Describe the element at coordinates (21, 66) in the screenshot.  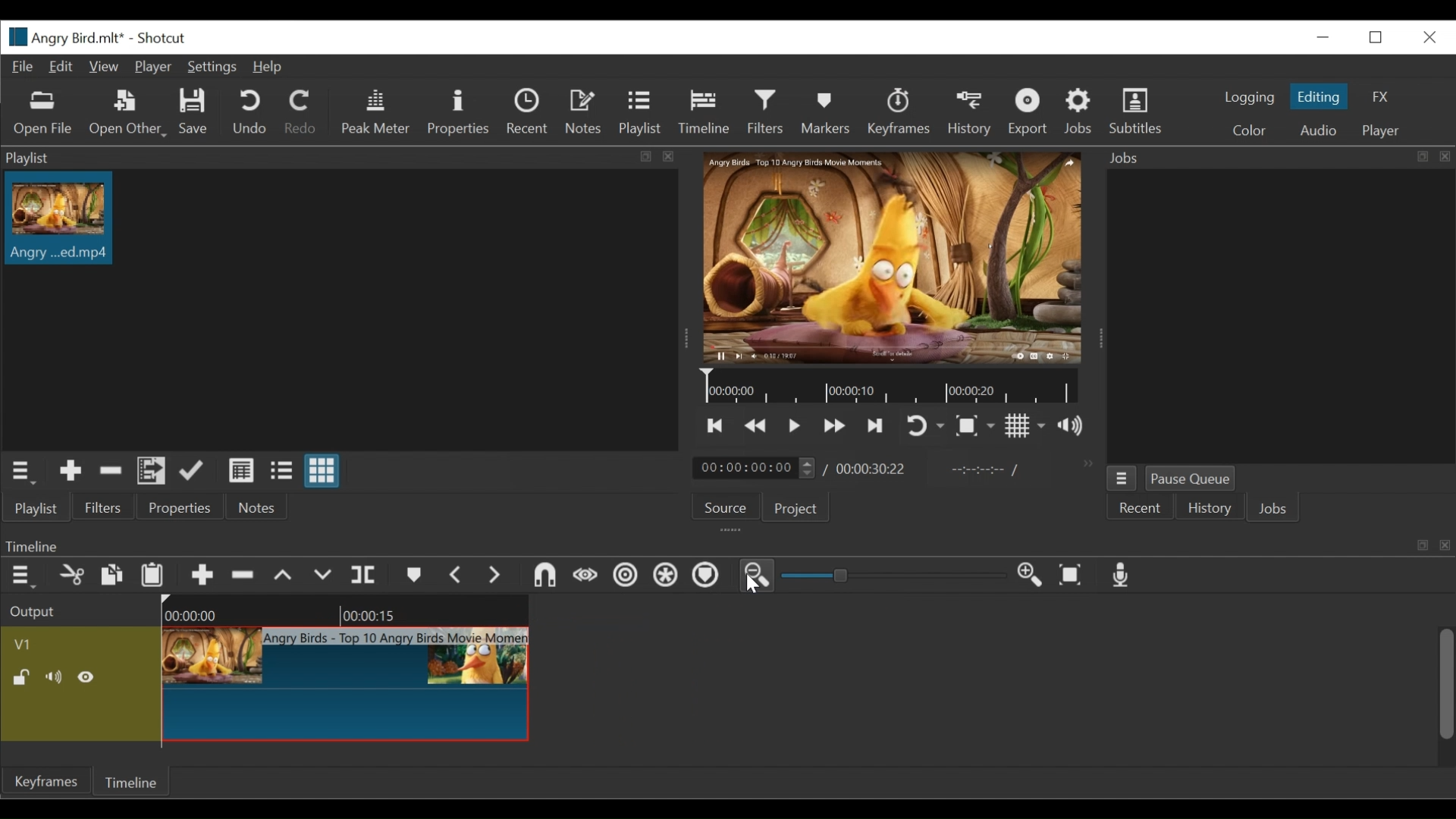
I see `File` at that location.